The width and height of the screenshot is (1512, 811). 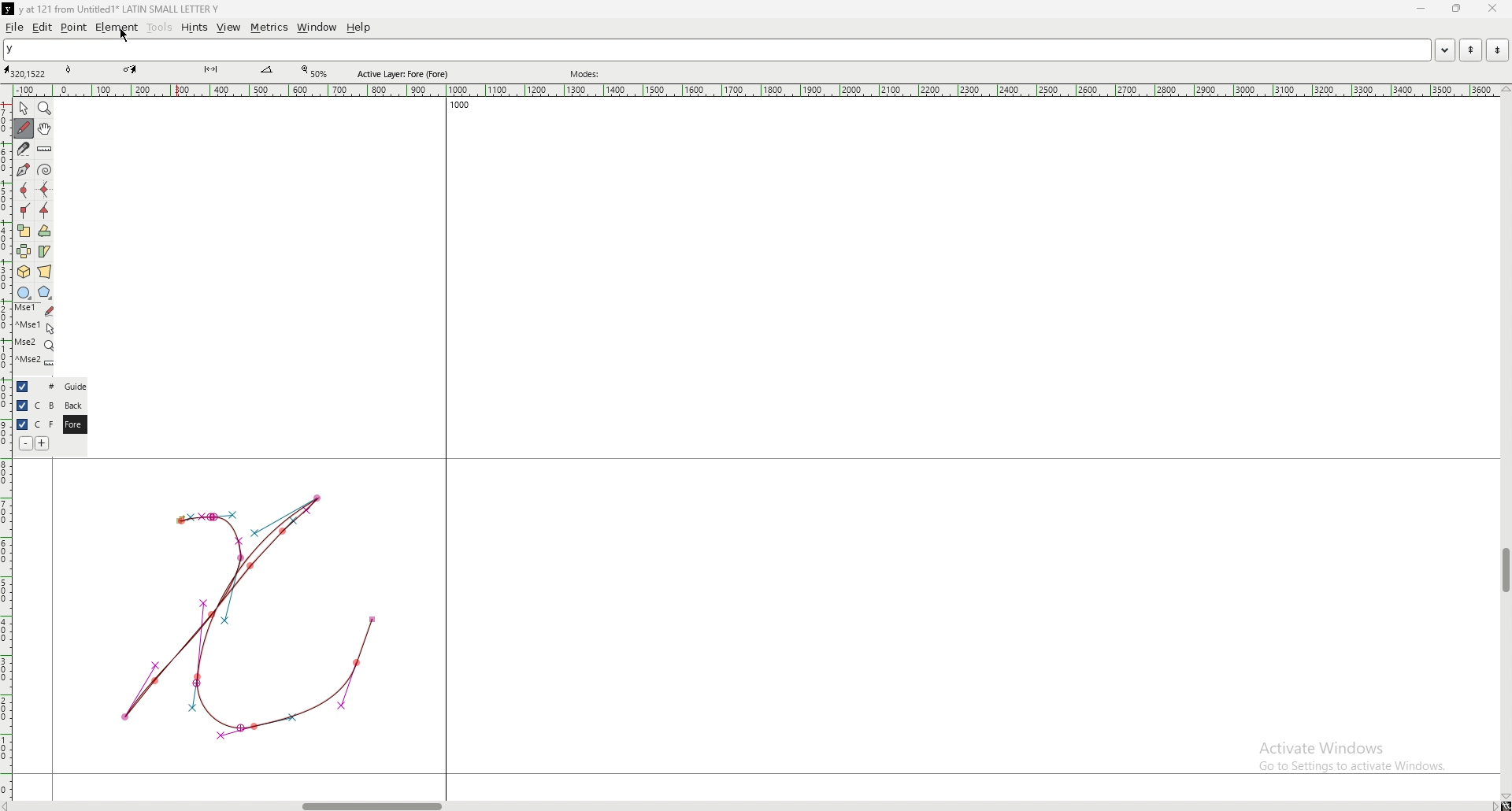 What do you see at coordinates (44, 250) in the screenshot?
I see `skew the selection` at bounding box center [44, 250].